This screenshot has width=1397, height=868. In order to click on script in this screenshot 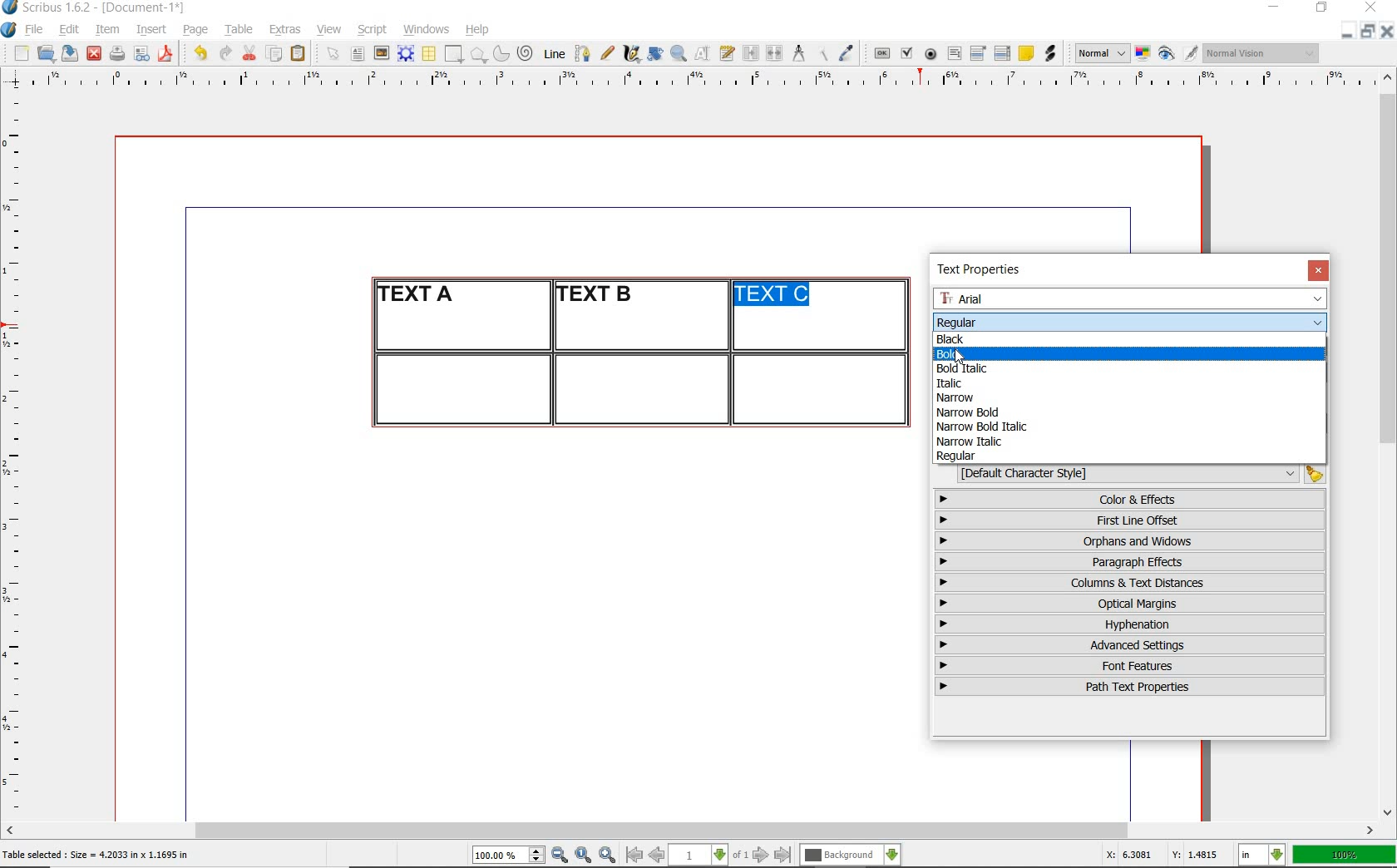, I will do `click(372, 29)`.